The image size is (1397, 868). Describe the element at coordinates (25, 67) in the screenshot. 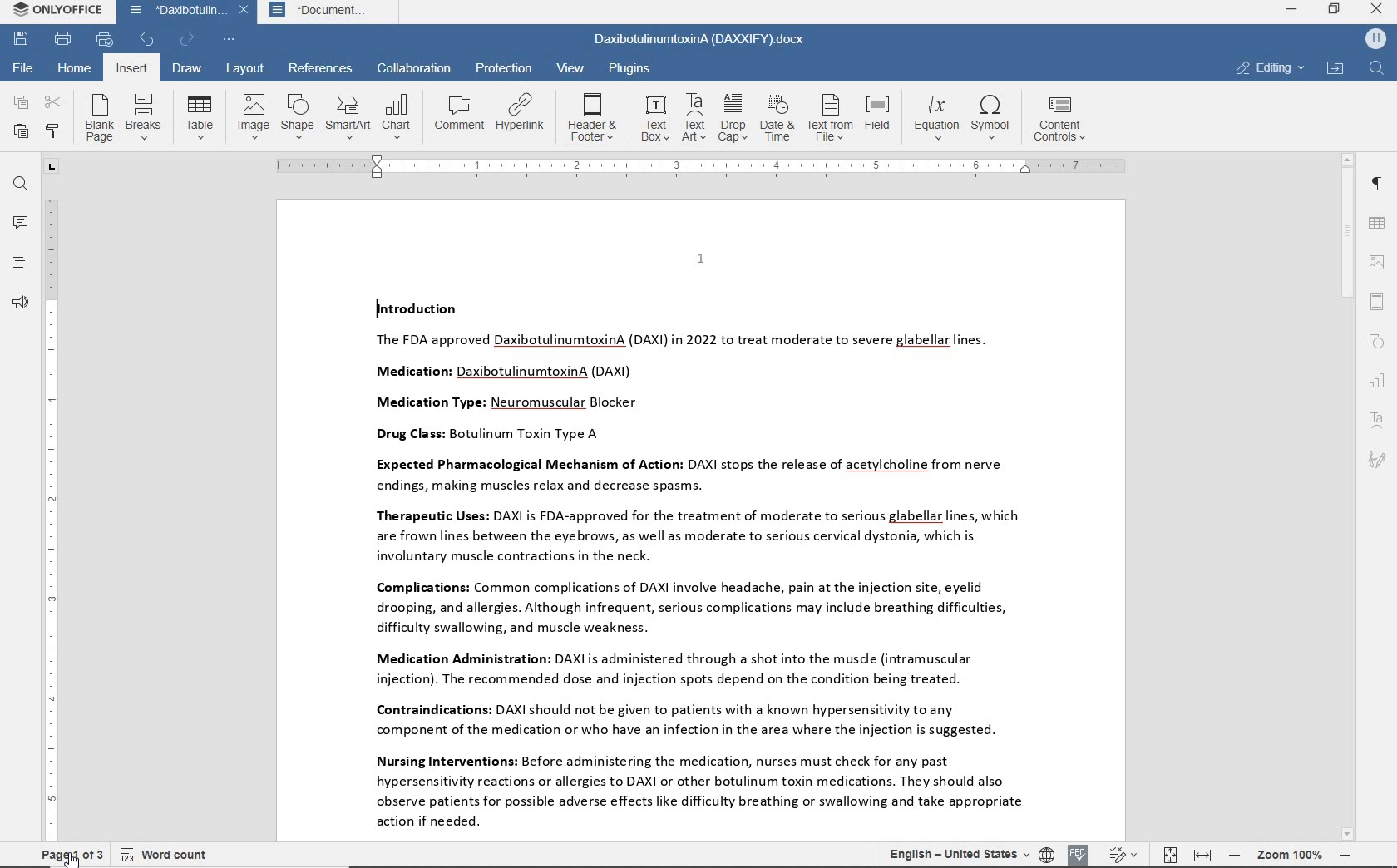

I see `file` at that location.